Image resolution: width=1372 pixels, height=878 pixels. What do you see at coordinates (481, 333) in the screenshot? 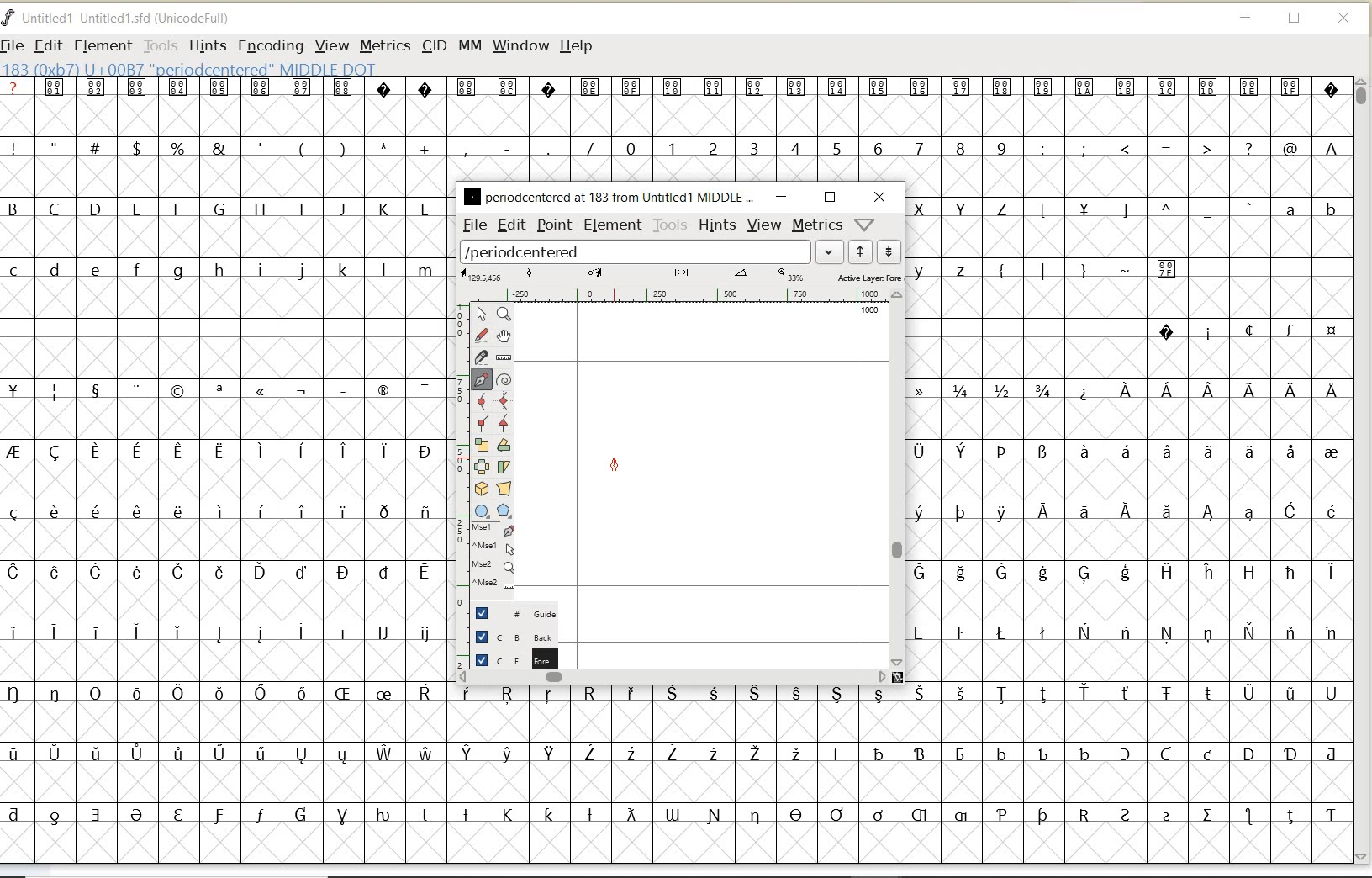
I see `draw a freehand curve` at bounding box center [481, 333].